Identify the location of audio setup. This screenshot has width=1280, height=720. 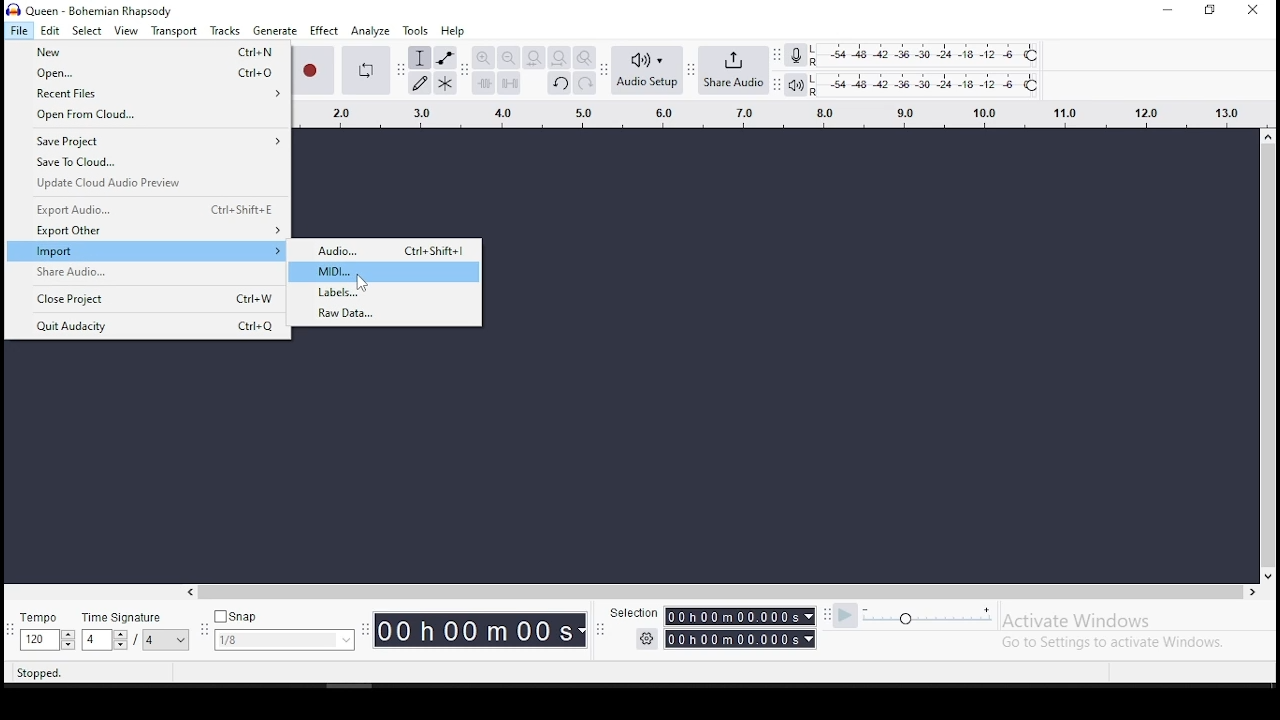
(647, 70).